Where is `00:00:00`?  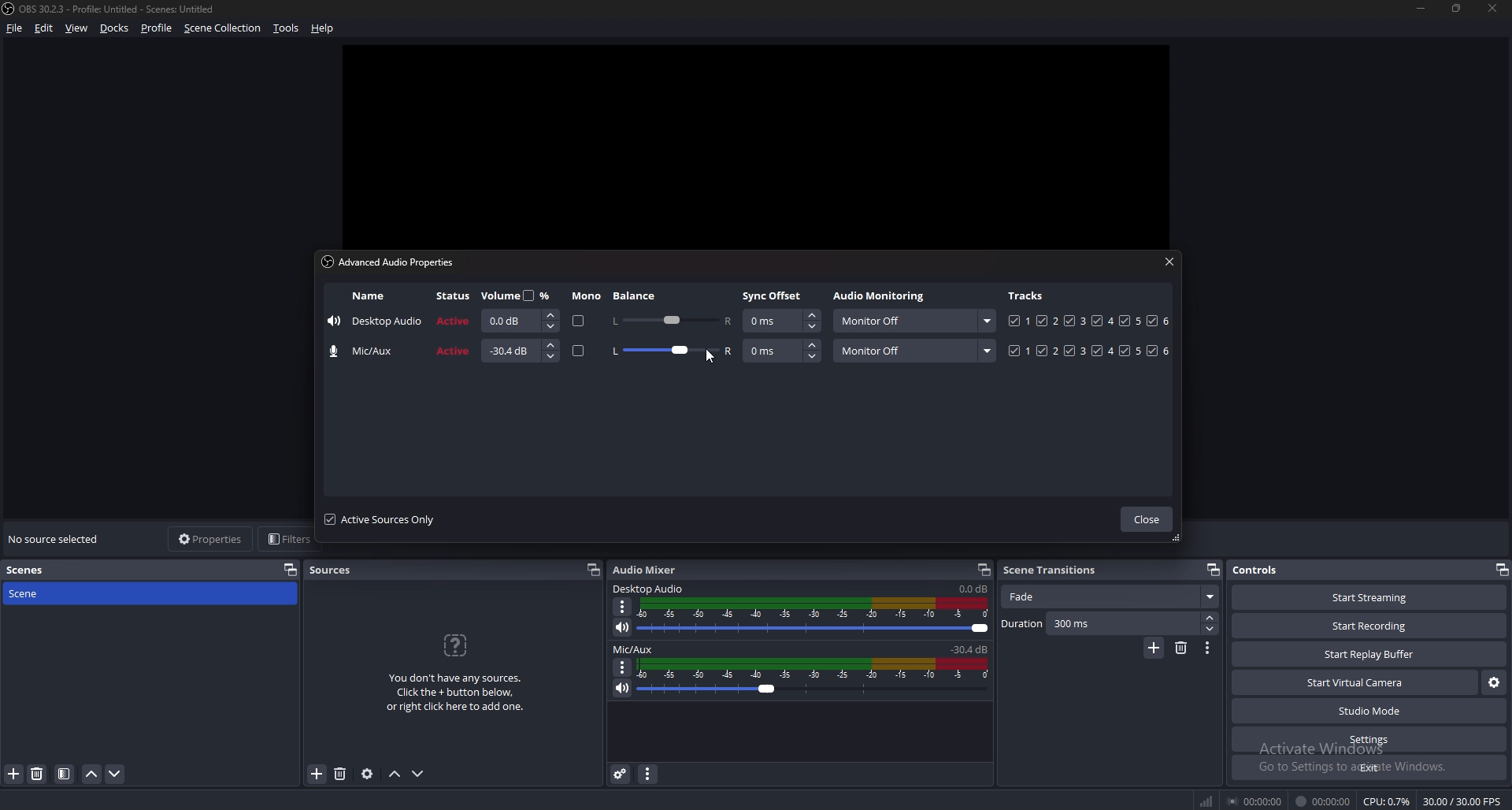 00:00:00 is located at coordinates (1322, 802).